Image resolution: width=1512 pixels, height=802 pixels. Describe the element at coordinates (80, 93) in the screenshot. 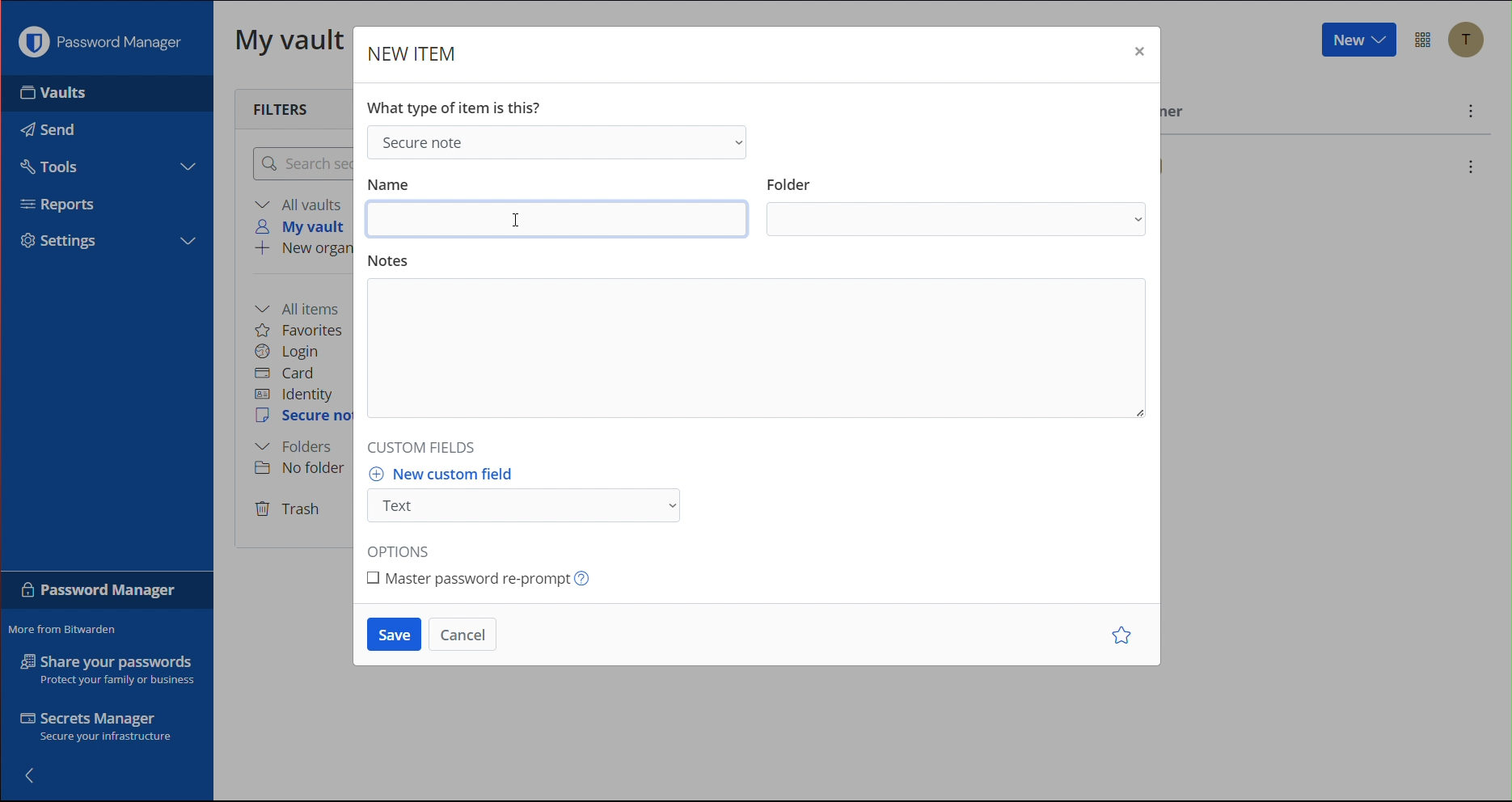

I see `Vaults` at that location.